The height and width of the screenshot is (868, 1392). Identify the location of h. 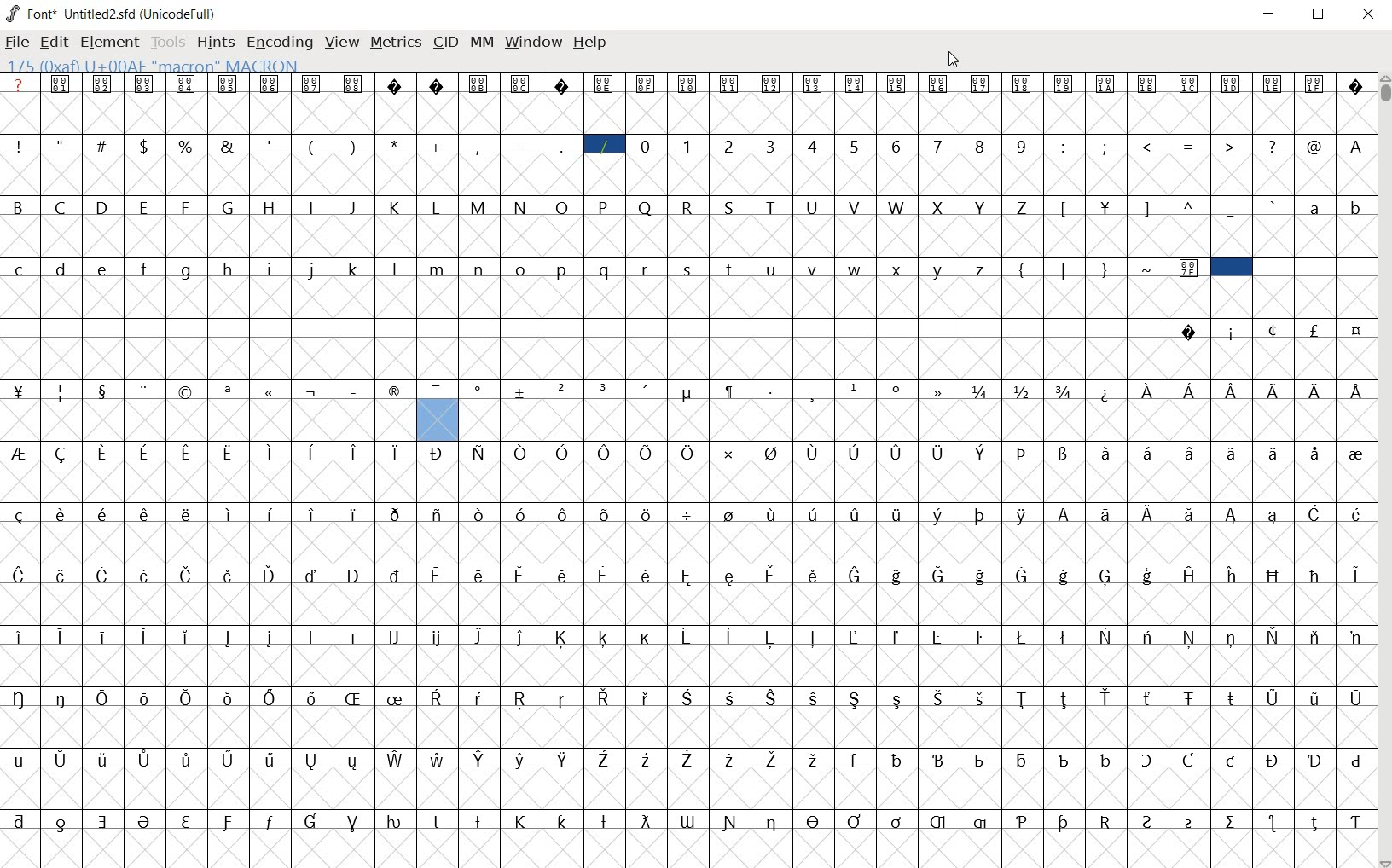
(229, 268).